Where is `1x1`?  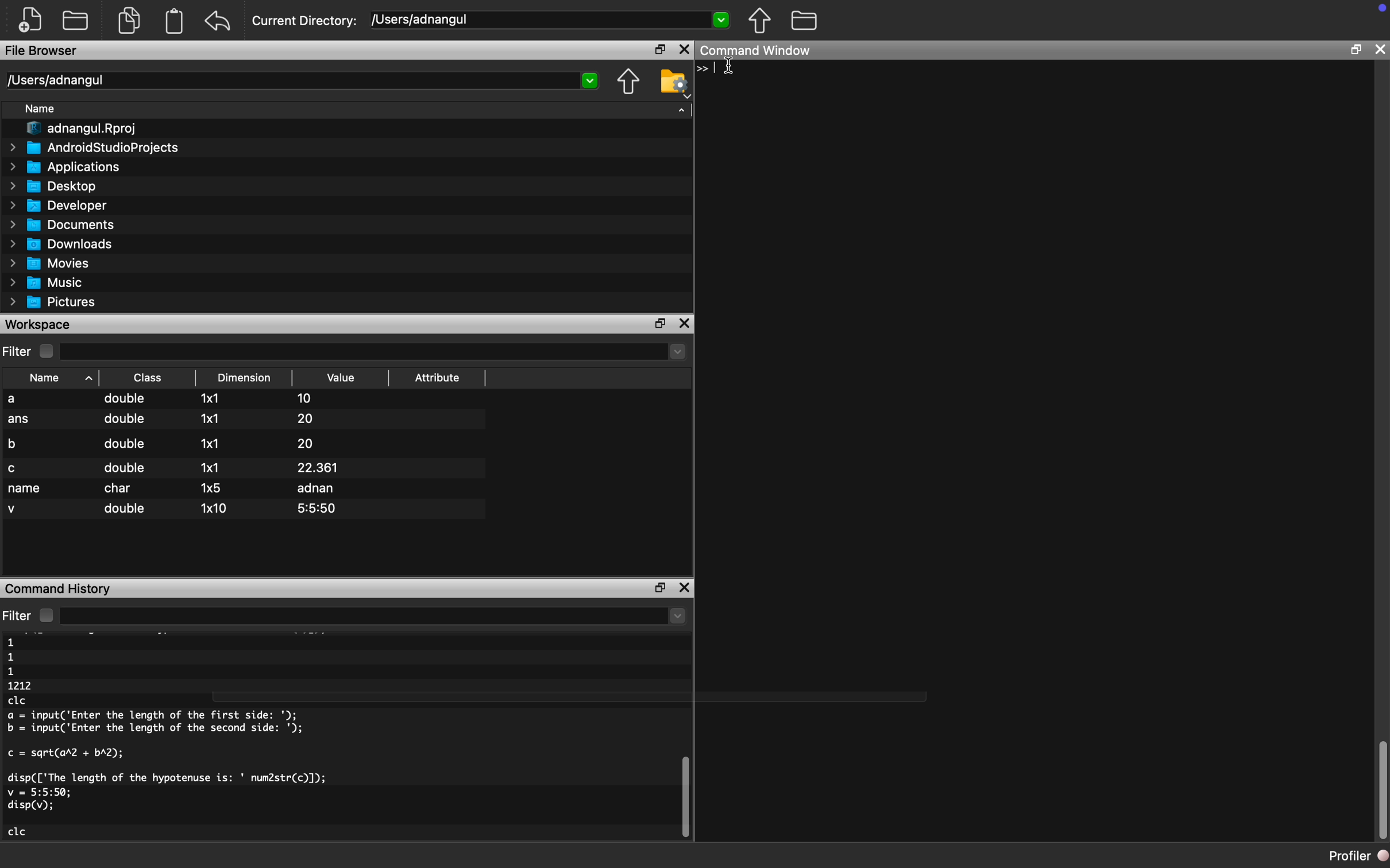 1x1 is located at coordinates (213, 419).